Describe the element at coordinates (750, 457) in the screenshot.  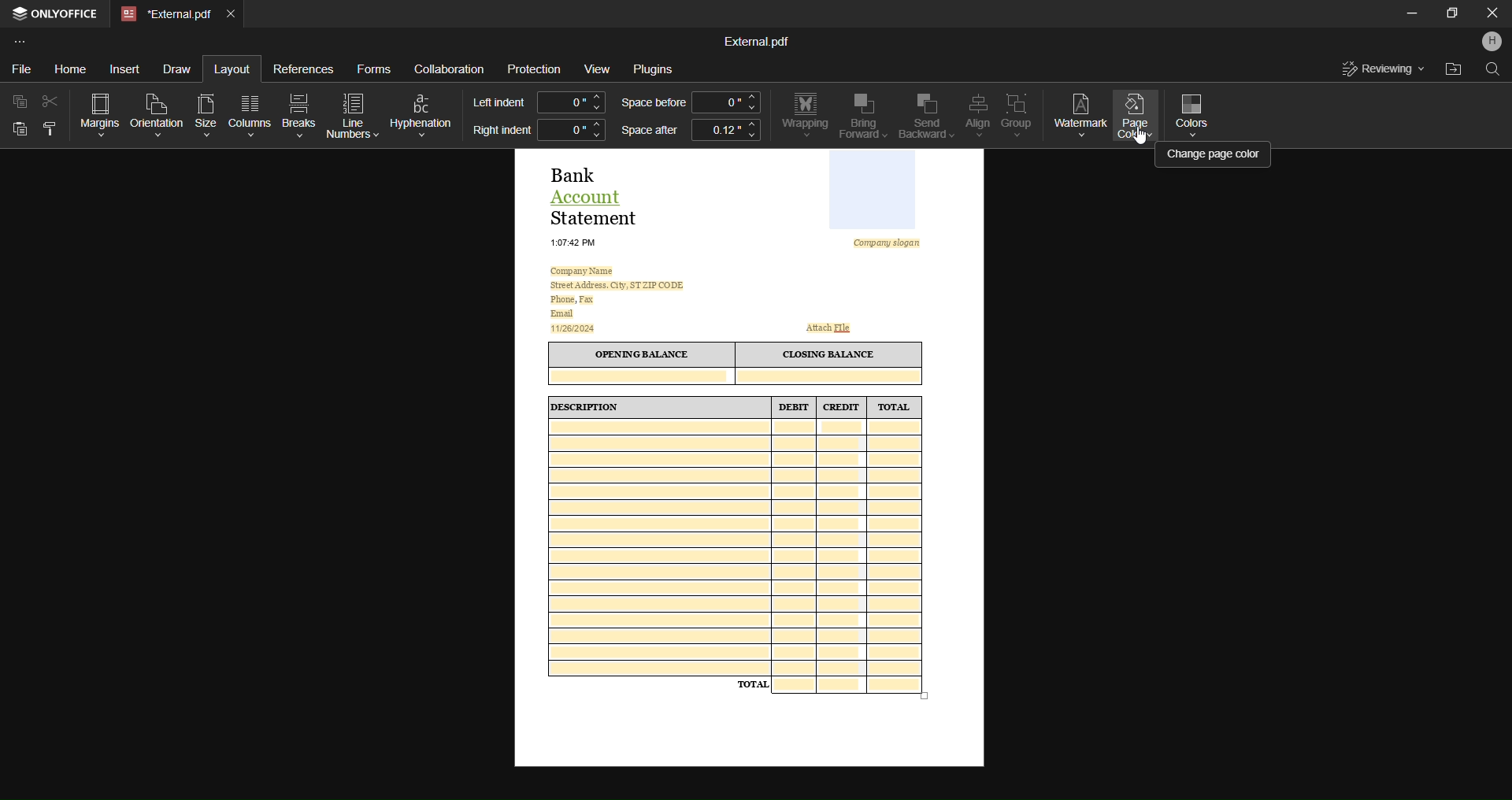
I see `This is a 30 day eviction notice informing tenants that they must either pay overdue rent, correct a lease violation, or vacate the premises due to illegal activity. Failure to comply will result in legal actions.` at that location.